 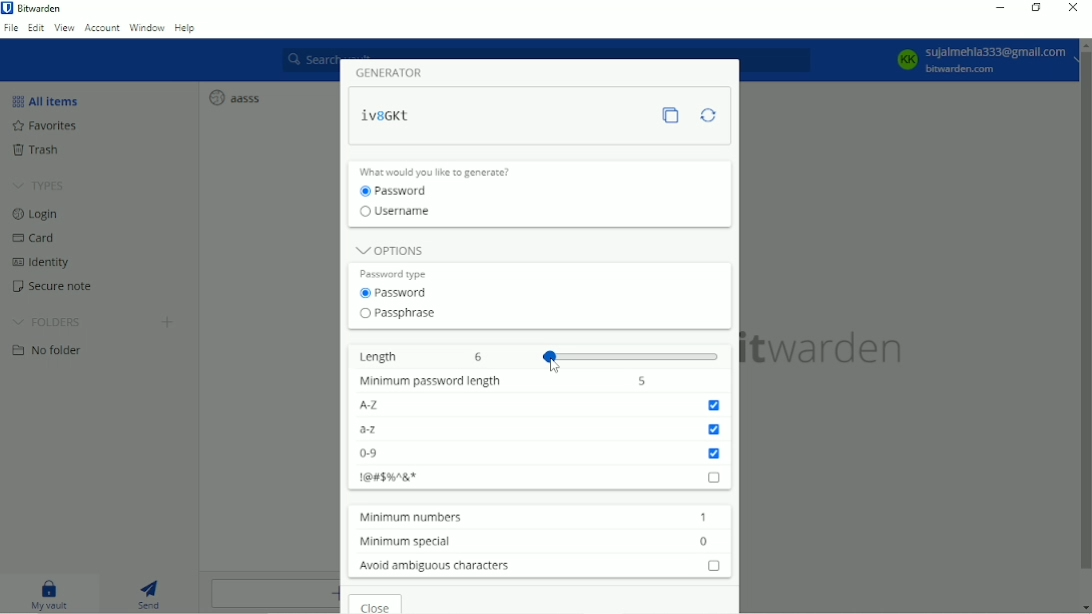 What do you see at coordinates (377, 355) in the screenshot?
I see `Length` at bounding box center [377, 355].